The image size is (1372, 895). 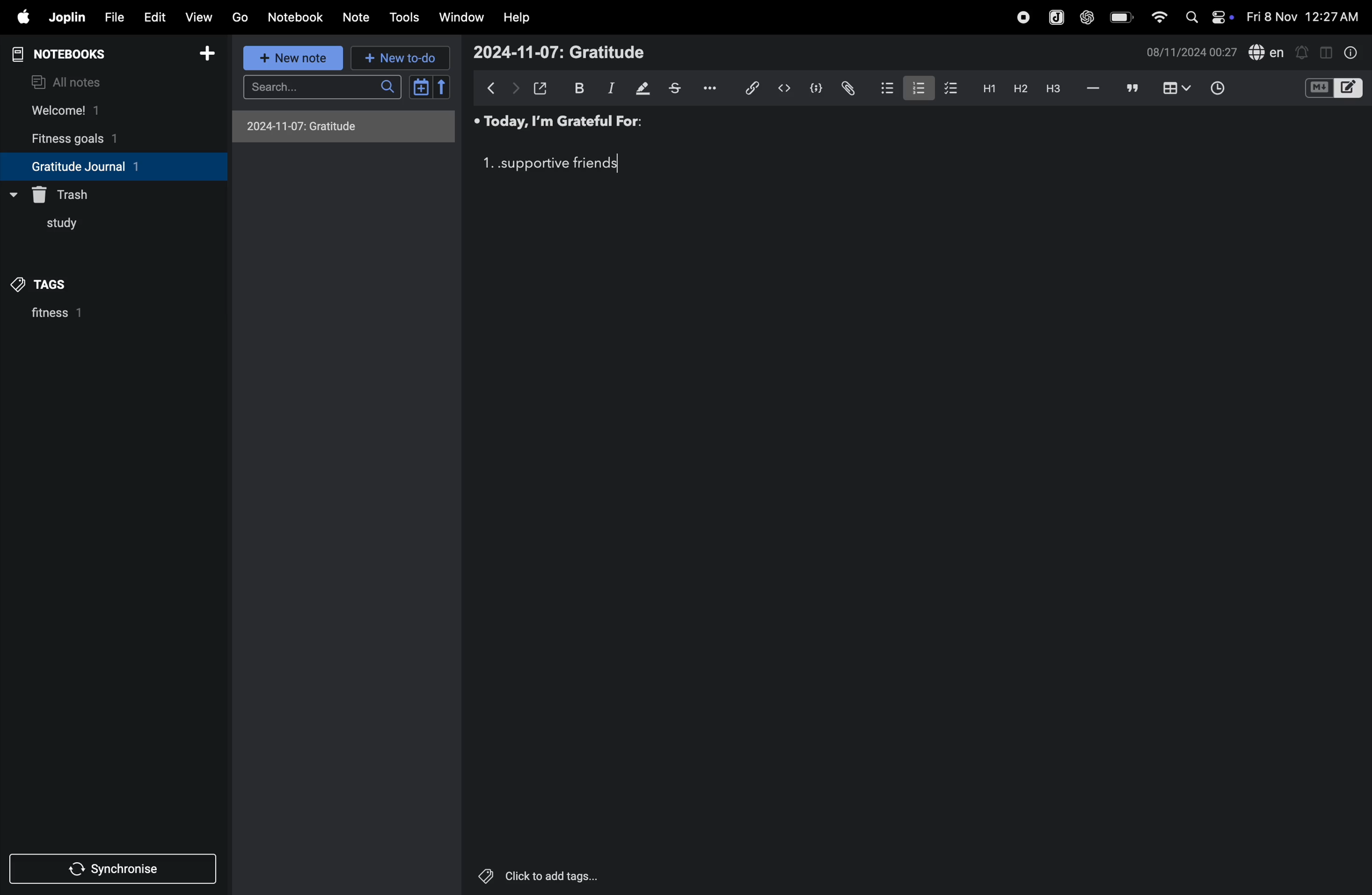 What do you see at coordinates (103, 166) in the screenshot?
I see `gratitude journals 1` at bounding box center [103, 166].